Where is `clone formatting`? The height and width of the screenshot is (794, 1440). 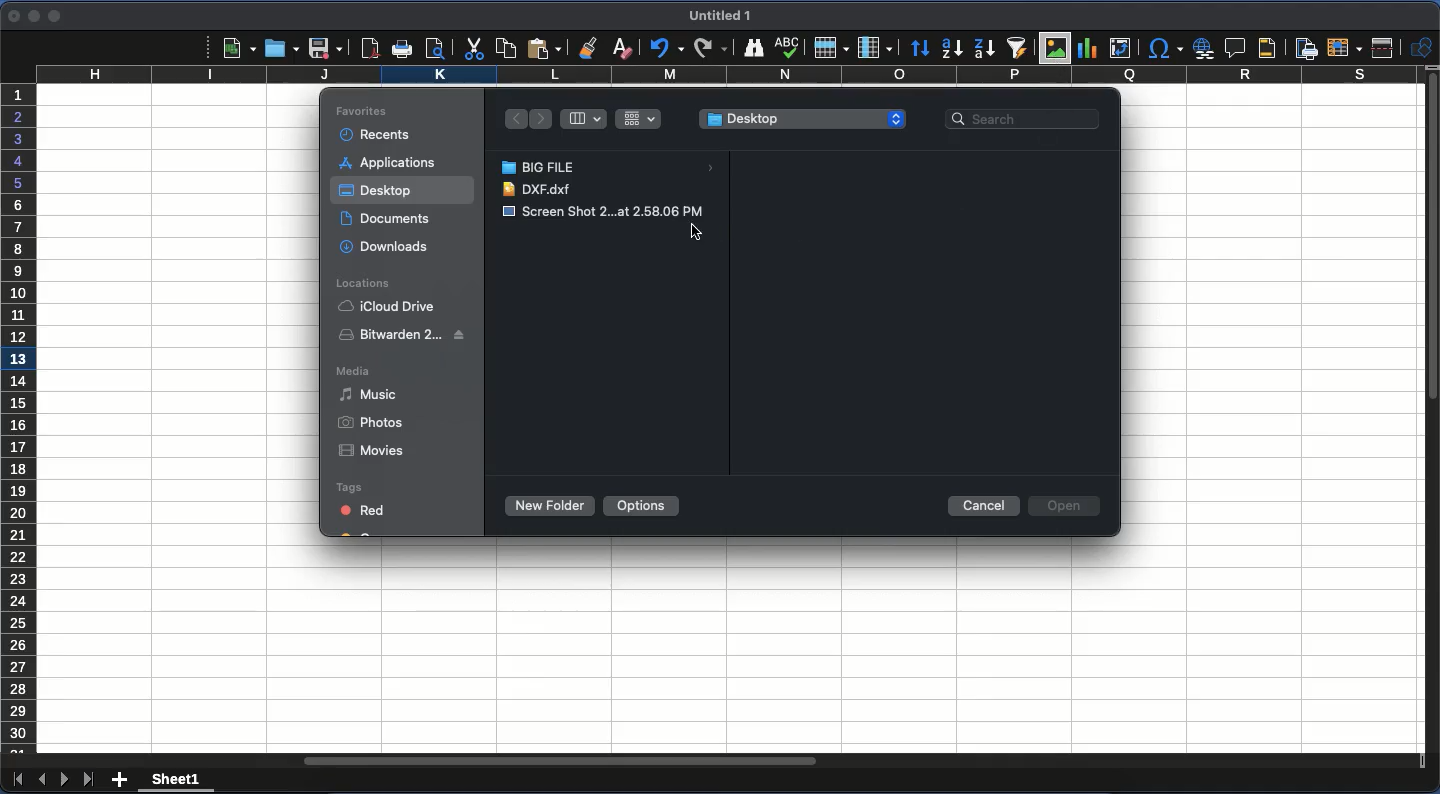
clone formatting is located at coordinates (588, 46).